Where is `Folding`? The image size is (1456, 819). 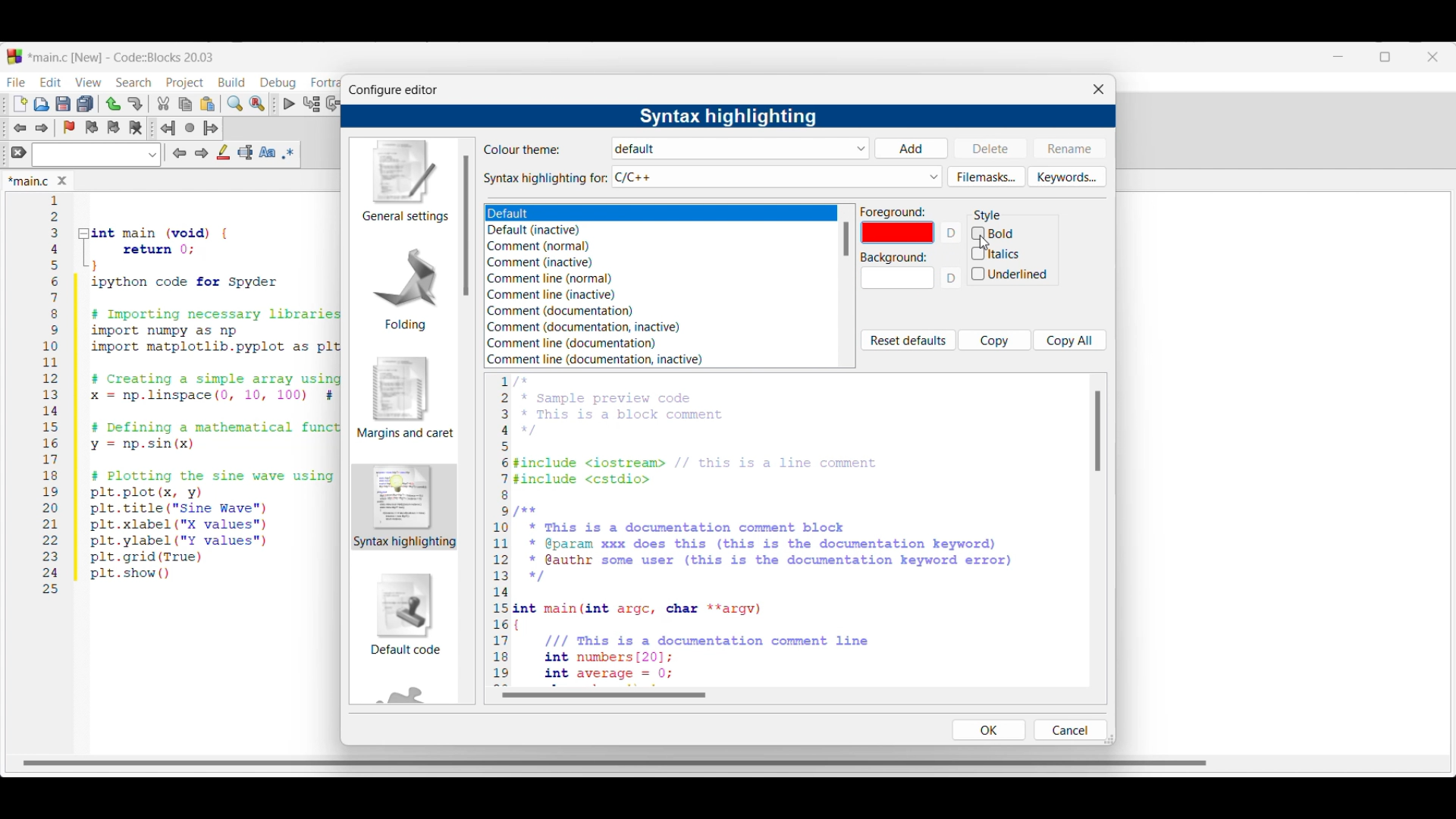
Folding is located at coordinates (405, 288).